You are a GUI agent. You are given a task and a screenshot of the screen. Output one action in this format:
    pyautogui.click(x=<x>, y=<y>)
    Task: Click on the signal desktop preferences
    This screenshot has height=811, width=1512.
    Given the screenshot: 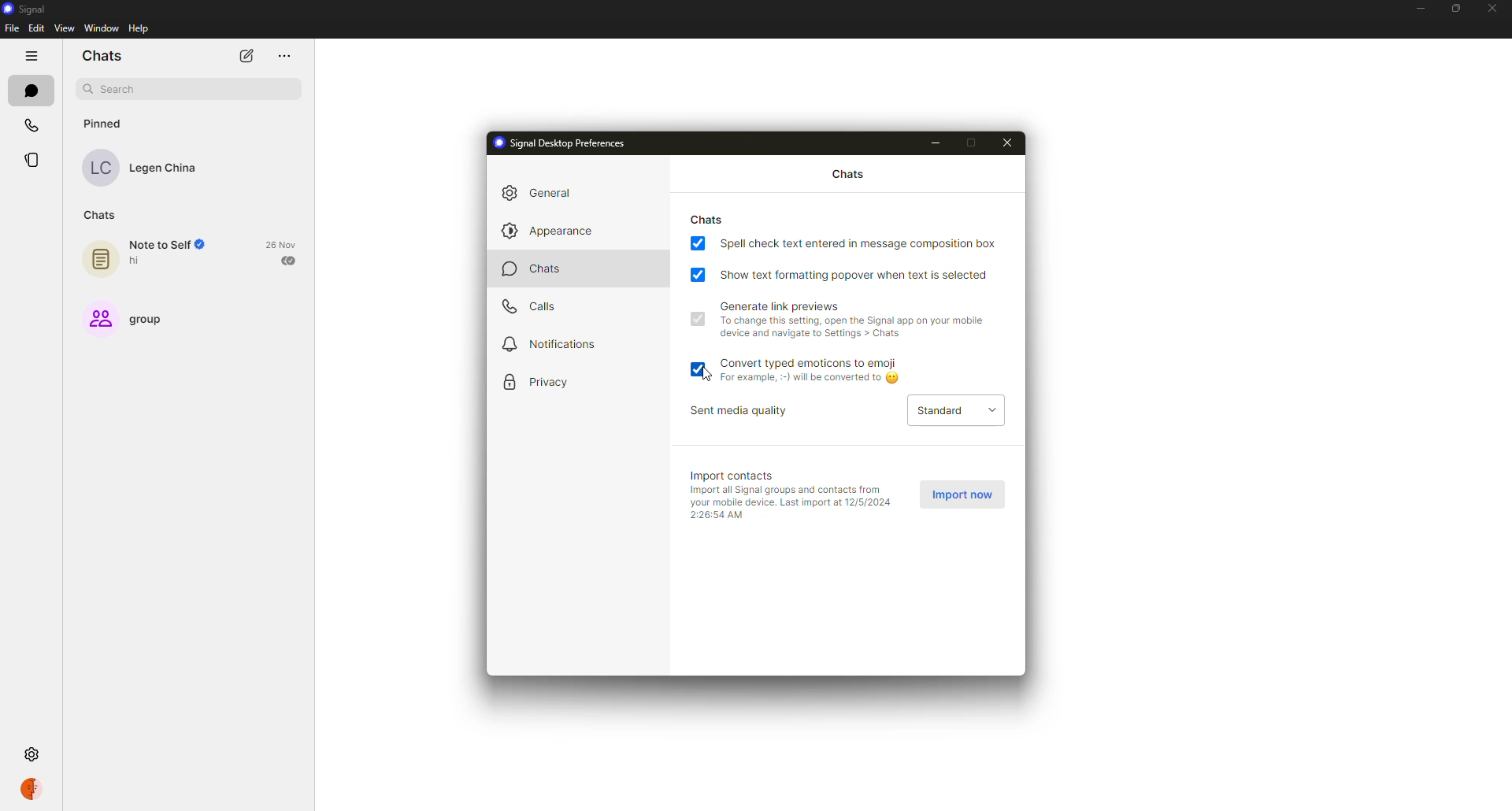 What is the action you would take?
    pyautogui.click(x=569, y=143)
    